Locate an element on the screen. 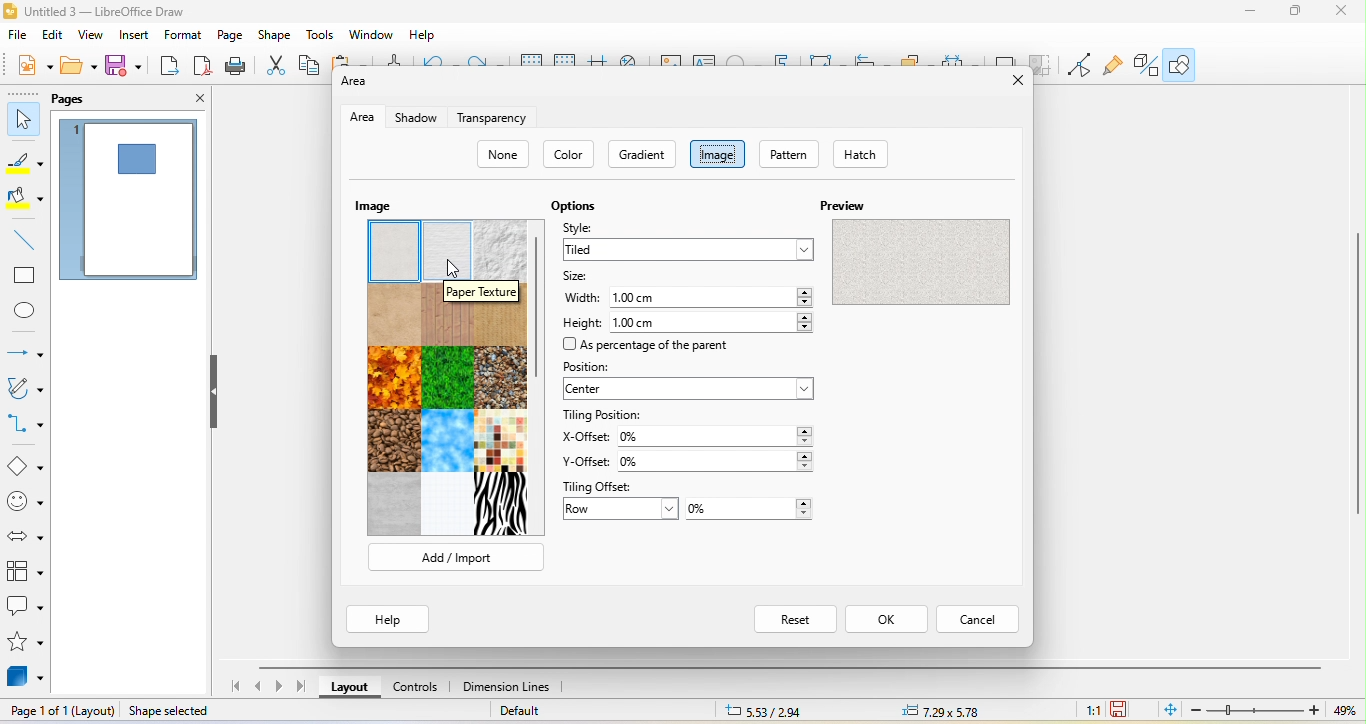 The width and height of the screenshot is (1366, 724). page is located at coordinates (234, 37).